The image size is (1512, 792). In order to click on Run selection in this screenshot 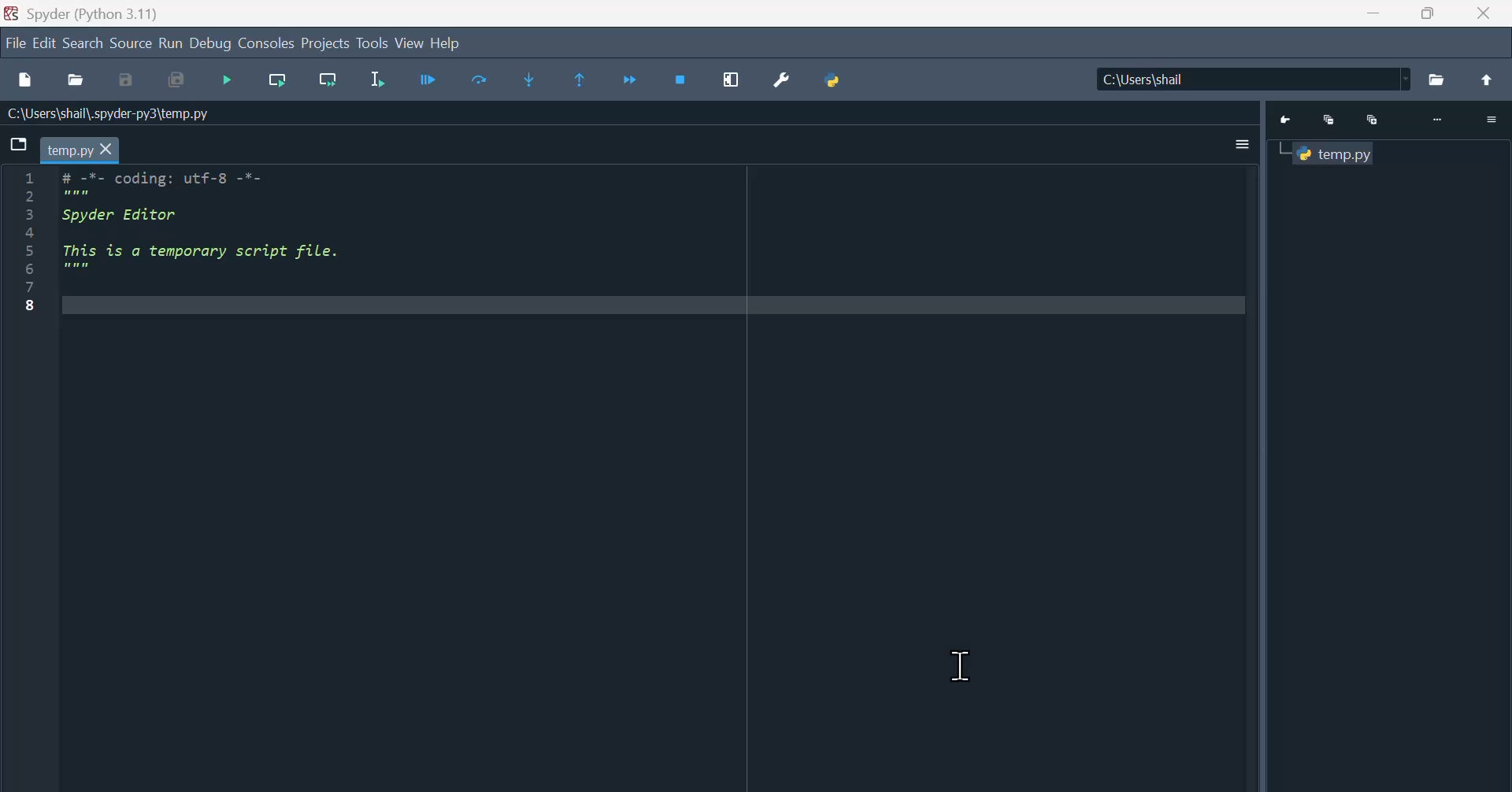, I will do `click(376, 79)`.